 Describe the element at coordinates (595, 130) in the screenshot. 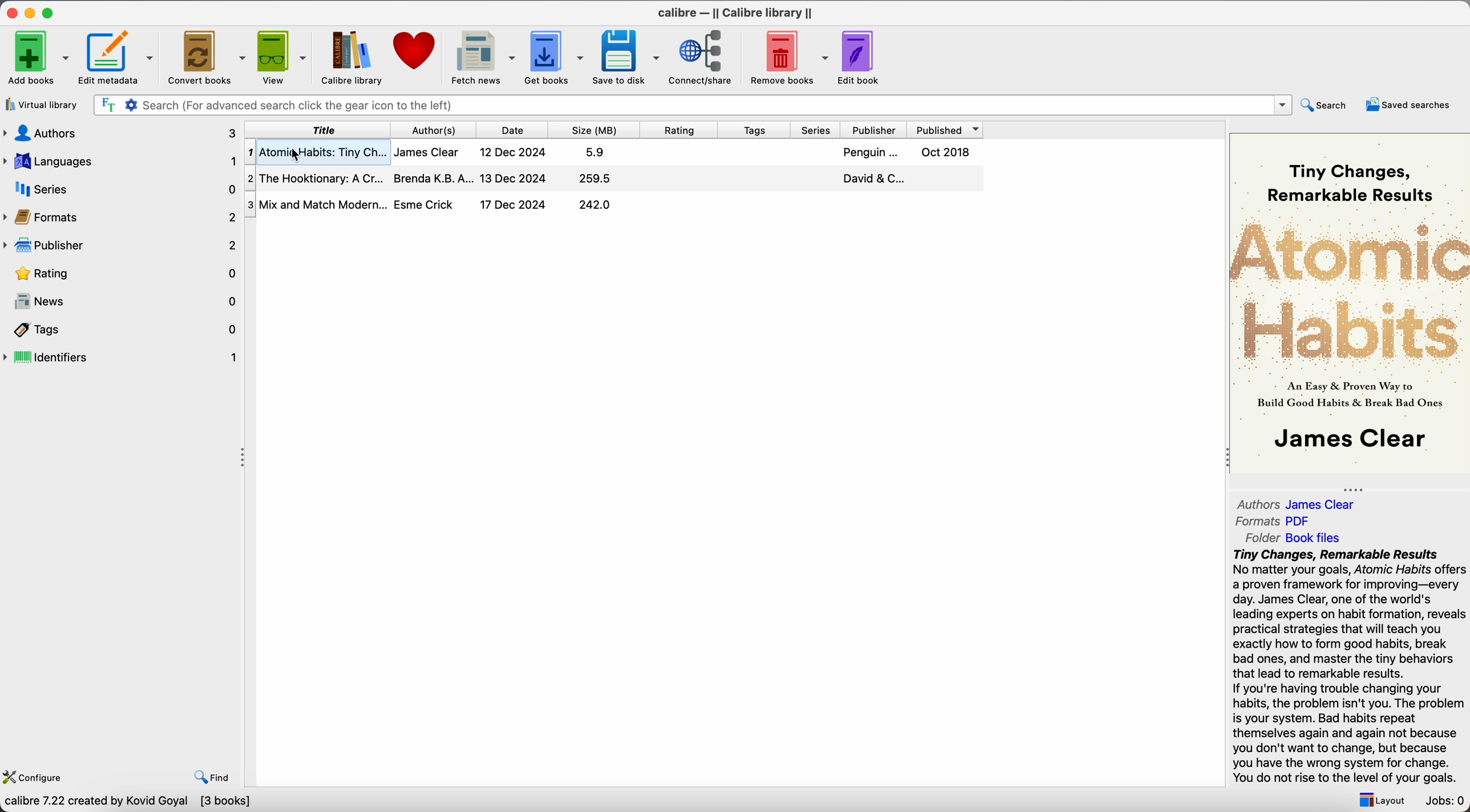

I see `size` at that location.